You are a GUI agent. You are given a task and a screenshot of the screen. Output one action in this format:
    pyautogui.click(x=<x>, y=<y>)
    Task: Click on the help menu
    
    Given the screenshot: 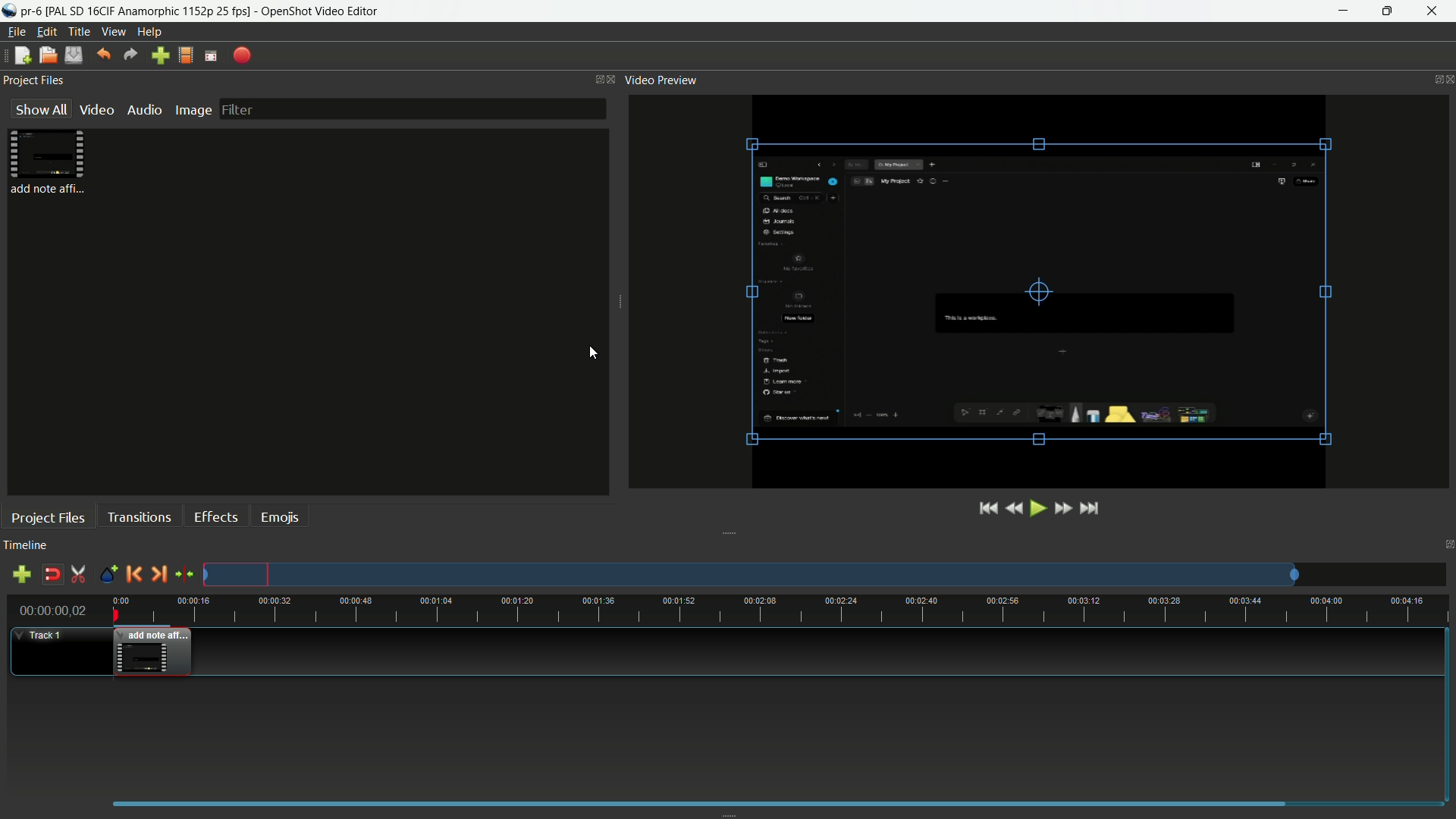 What is the action you would take?
    pyautogui.click(x=149, y=33)
    